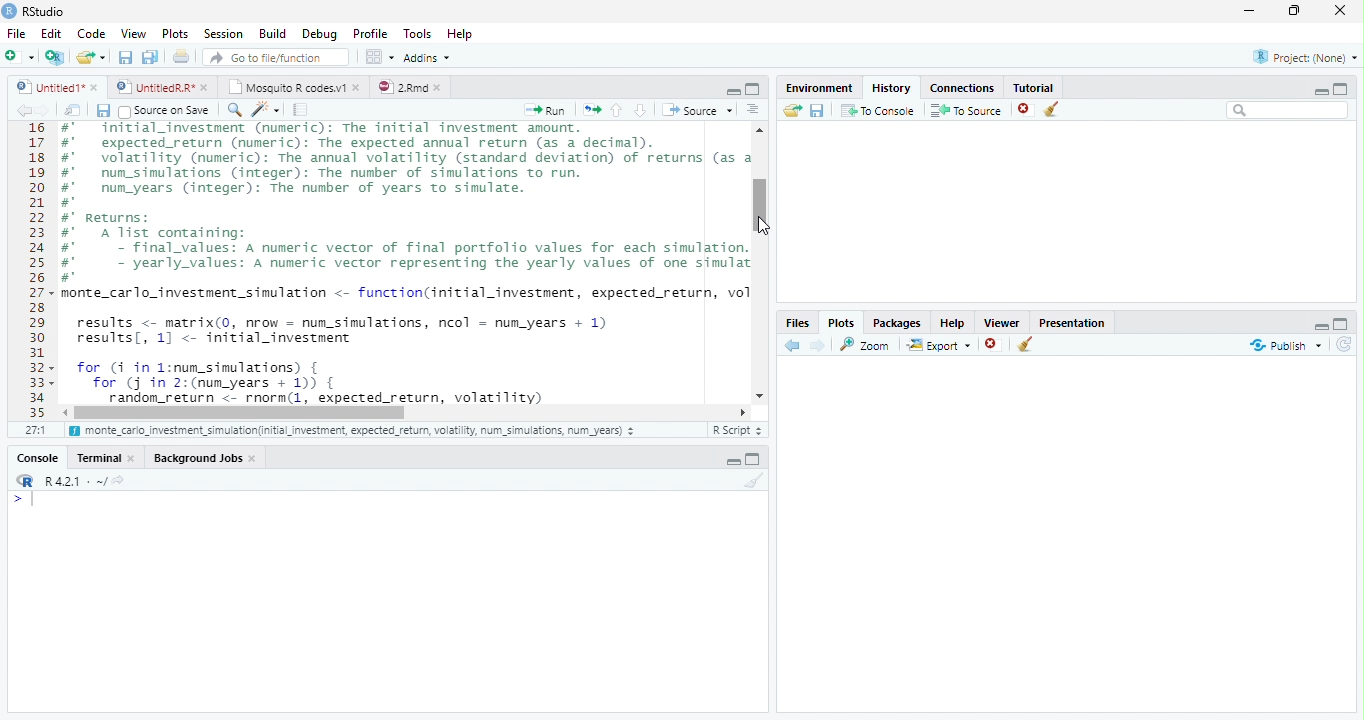  Describe the element at coordinates (206, 457) in the screenshot. I see `Background Jobs.` at that location.